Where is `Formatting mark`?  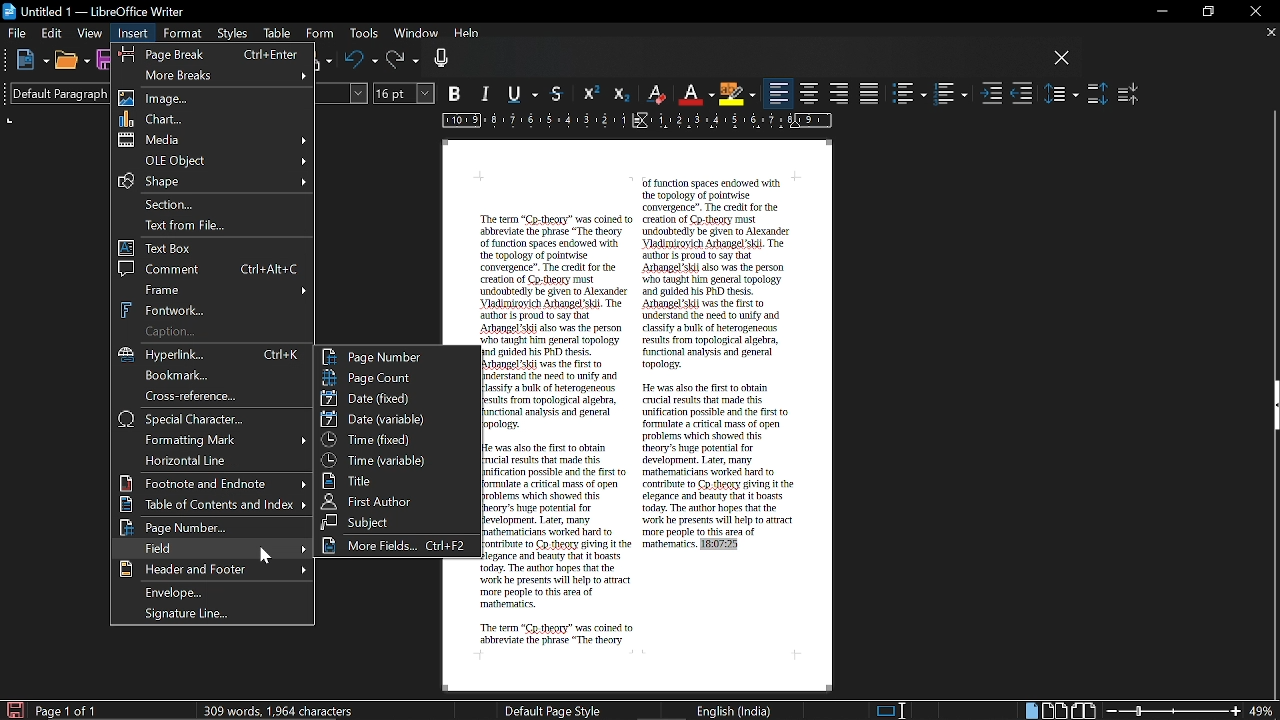 Formatting mark is located at coordinates (212, 439).